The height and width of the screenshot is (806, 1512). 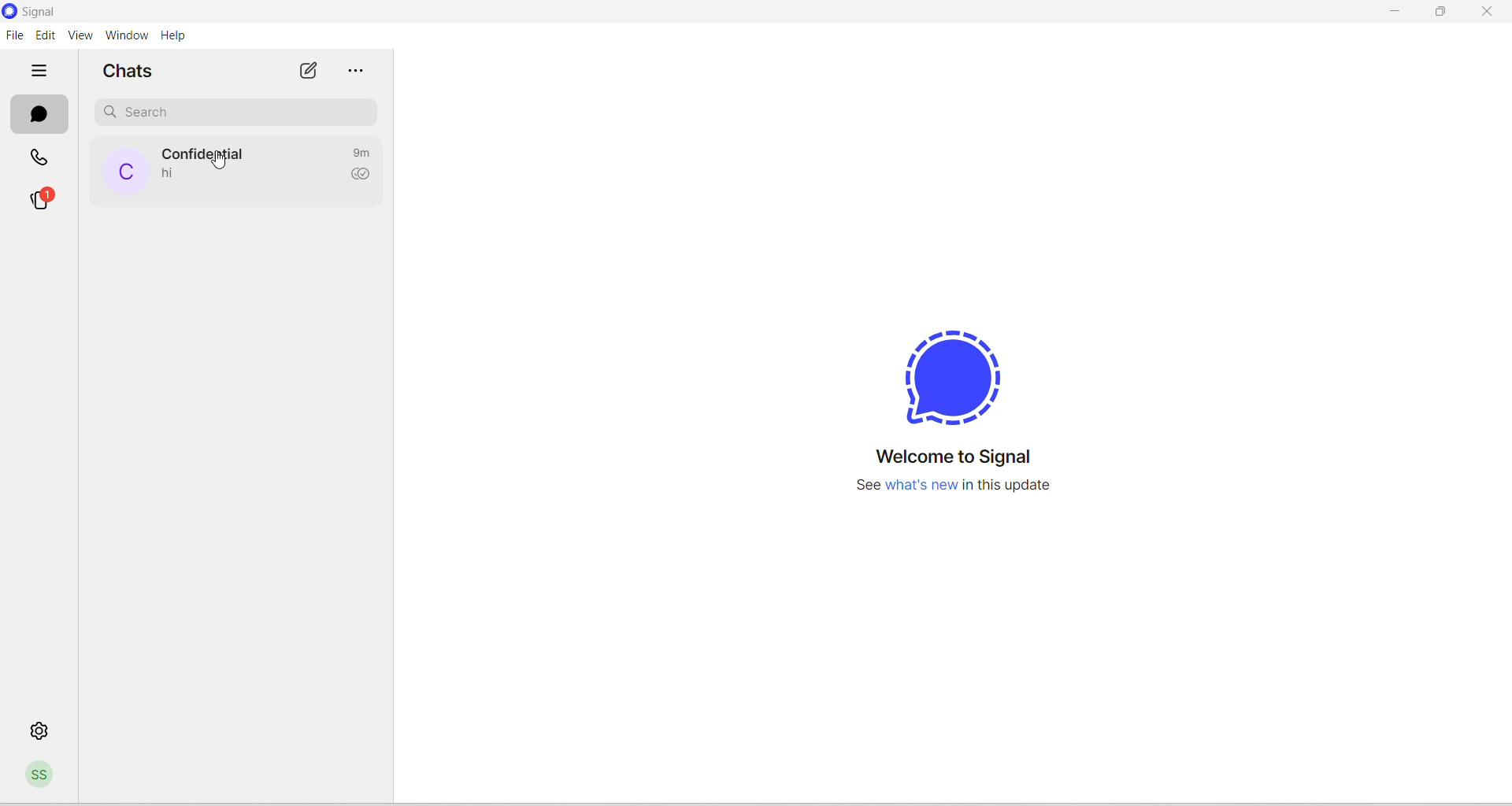 I want to click on read recipient , so click(x=365, y=177).